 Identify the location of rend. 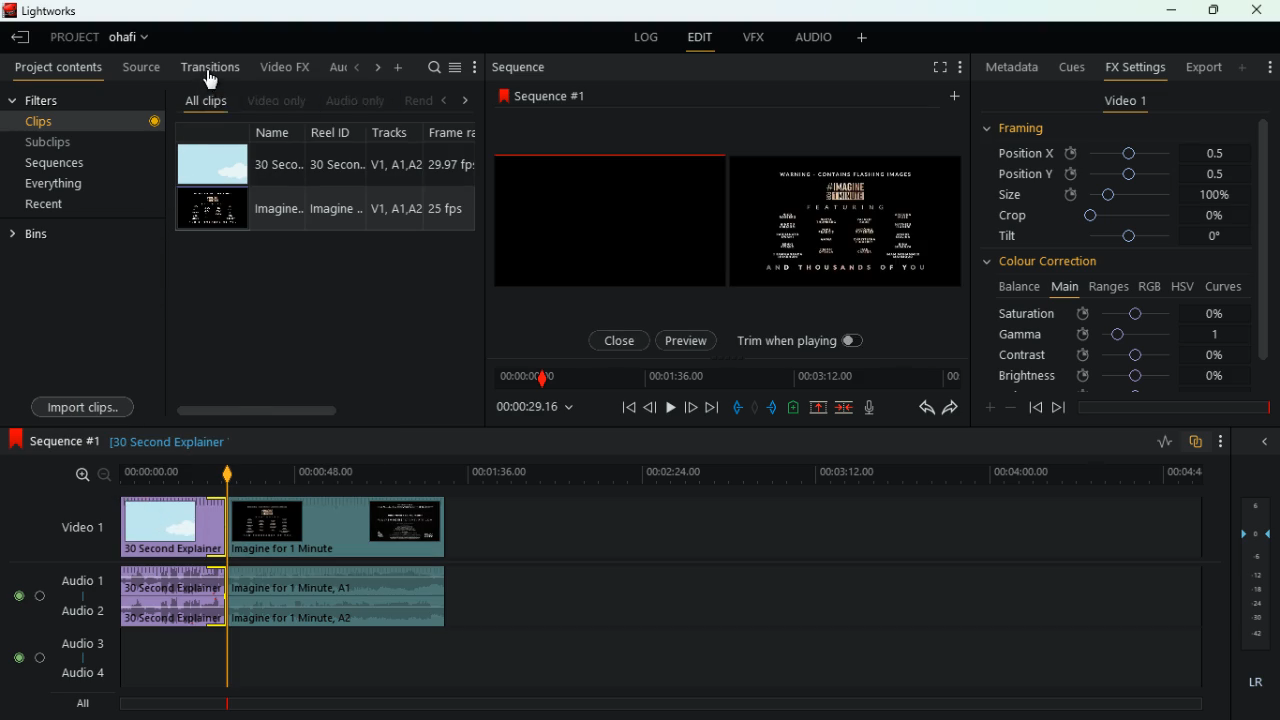
(418, 99).